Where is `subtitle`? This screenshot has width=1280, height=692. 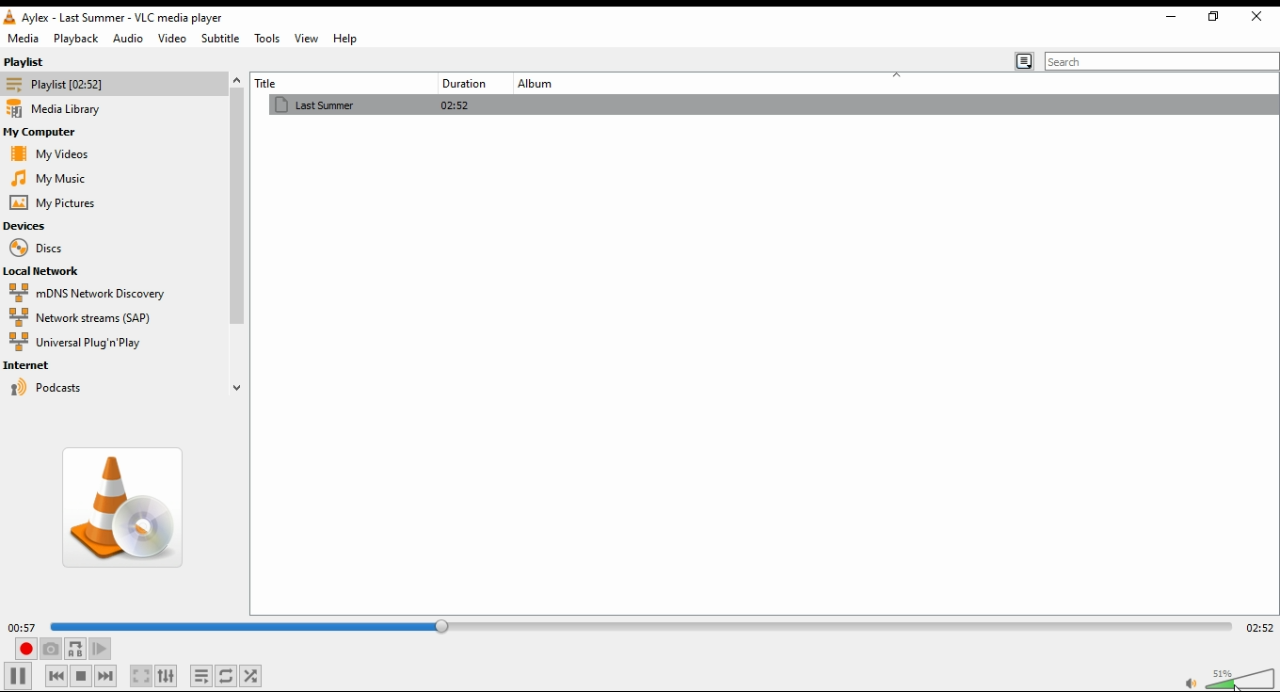 subtitle is located at coordinates (220, 38).